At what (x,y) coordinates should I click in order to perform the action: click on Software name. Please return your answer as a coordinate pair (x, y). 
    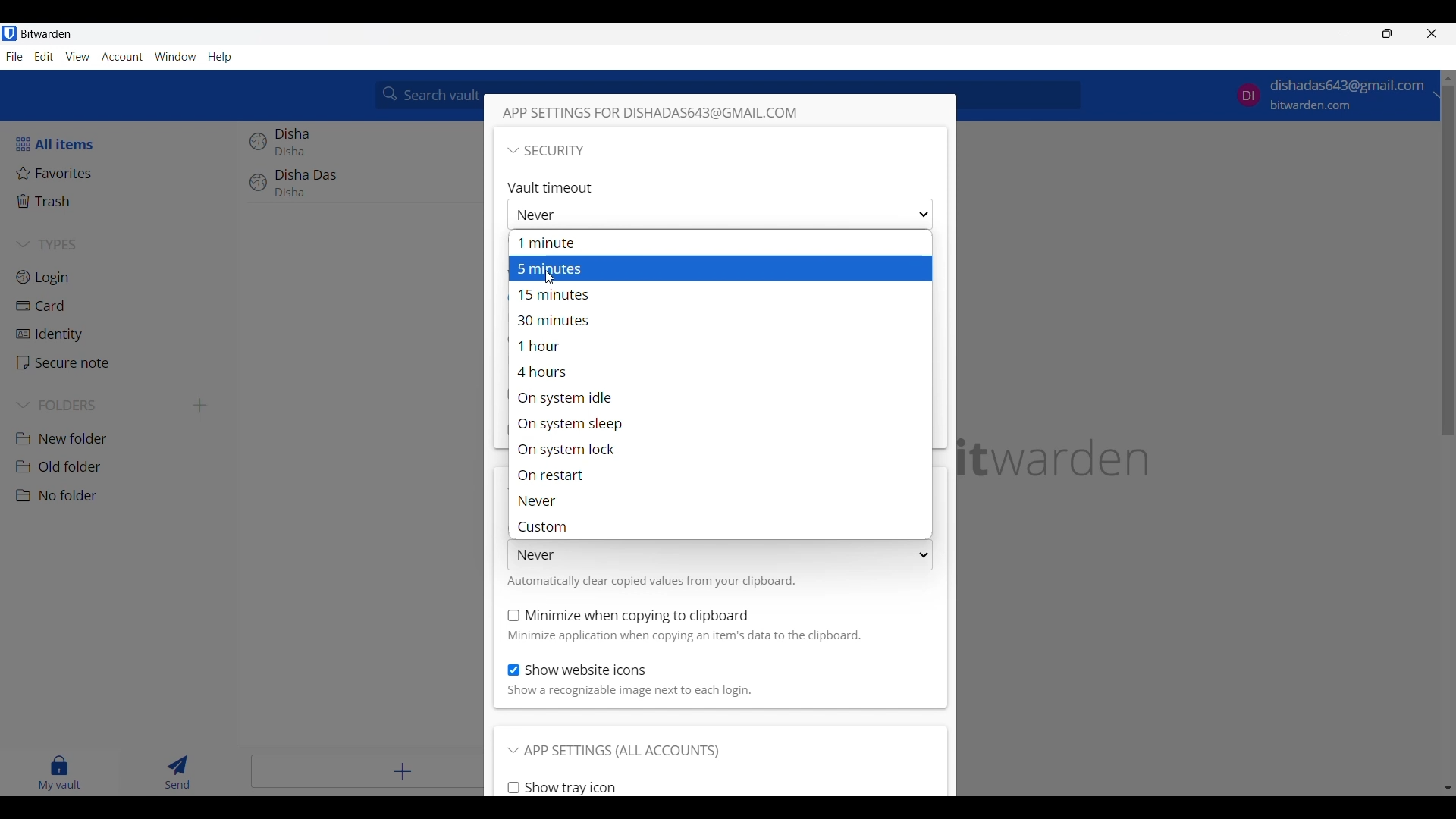
    Looking at the image, I should click on (46, 34).